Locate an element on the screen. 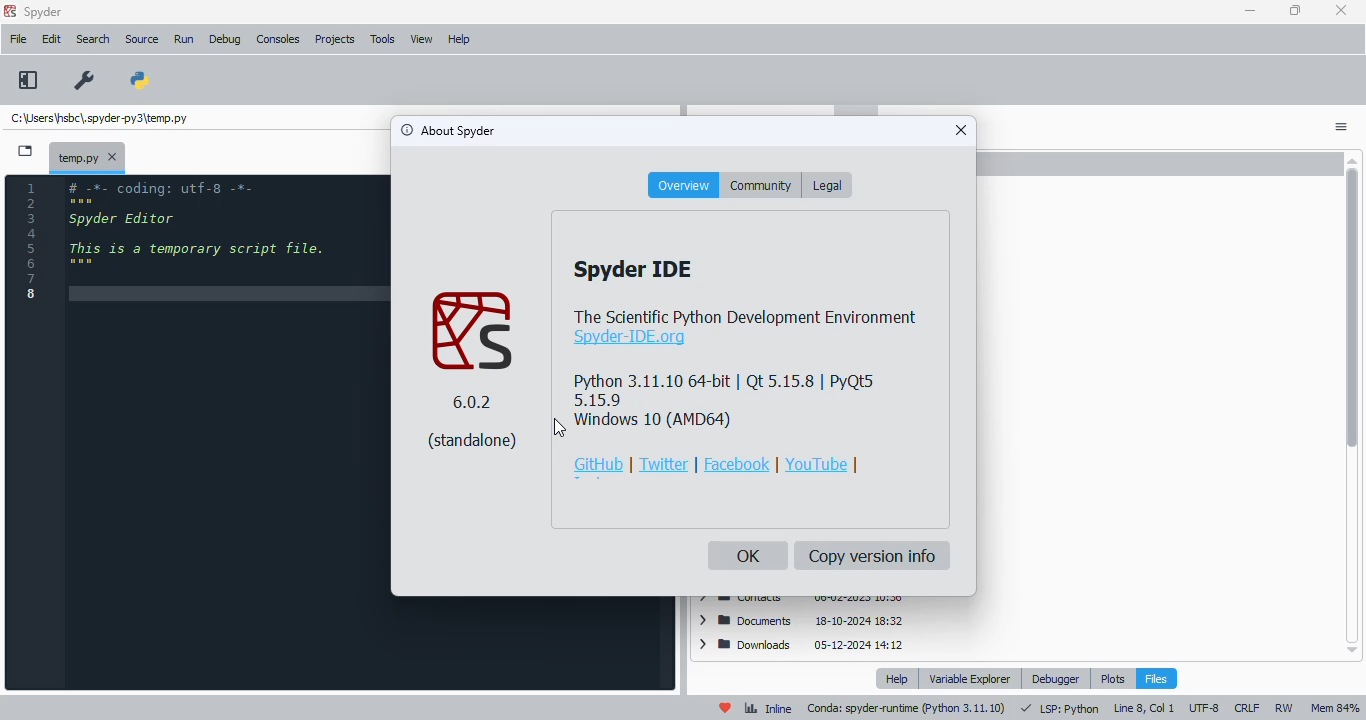 The width and height of the screenshot is (1366, 720). Scrollbar is located at coordinates (1352, 403).